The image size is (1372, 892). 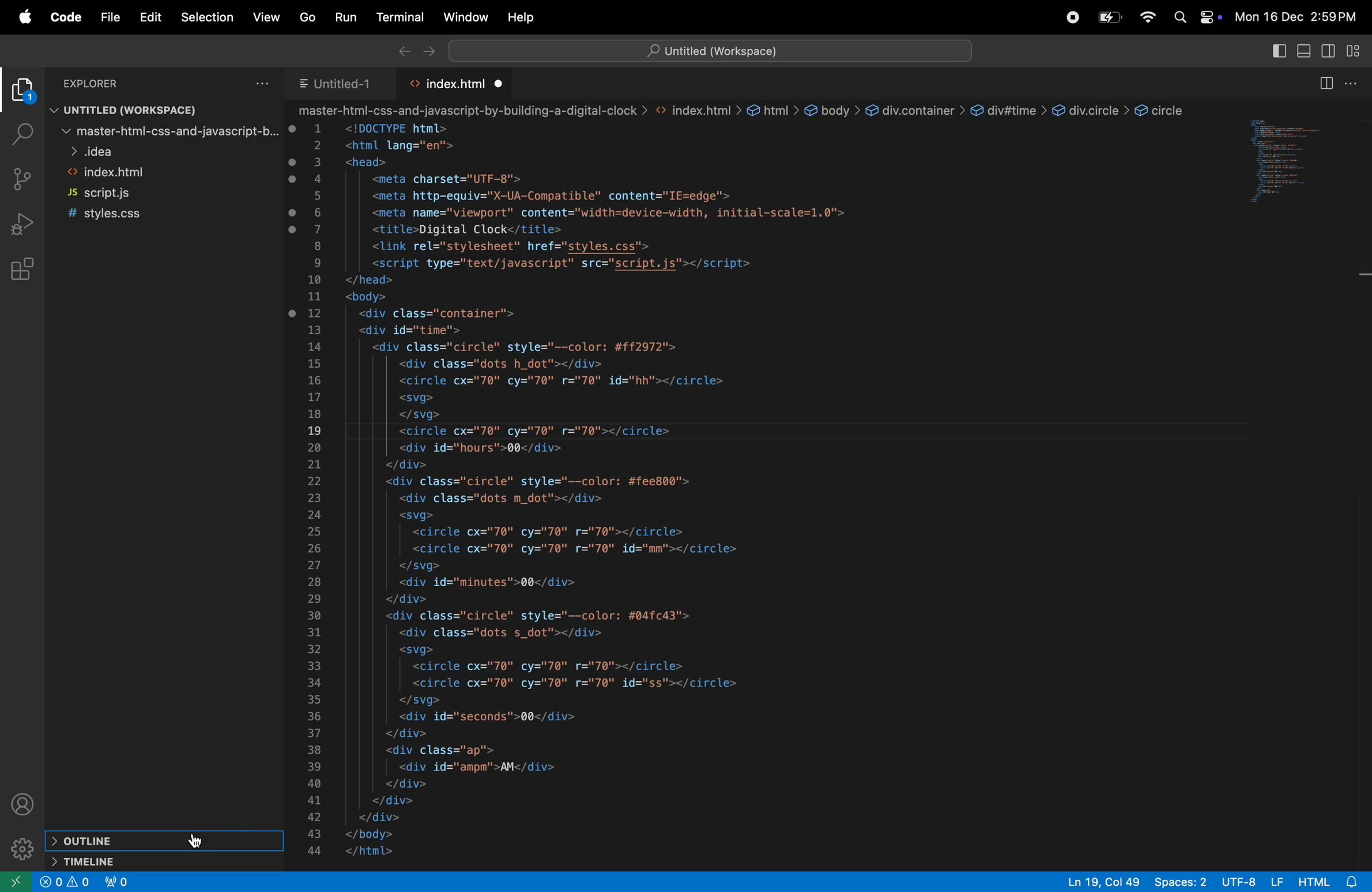 I want to click on code, so click(x=62, y=17).